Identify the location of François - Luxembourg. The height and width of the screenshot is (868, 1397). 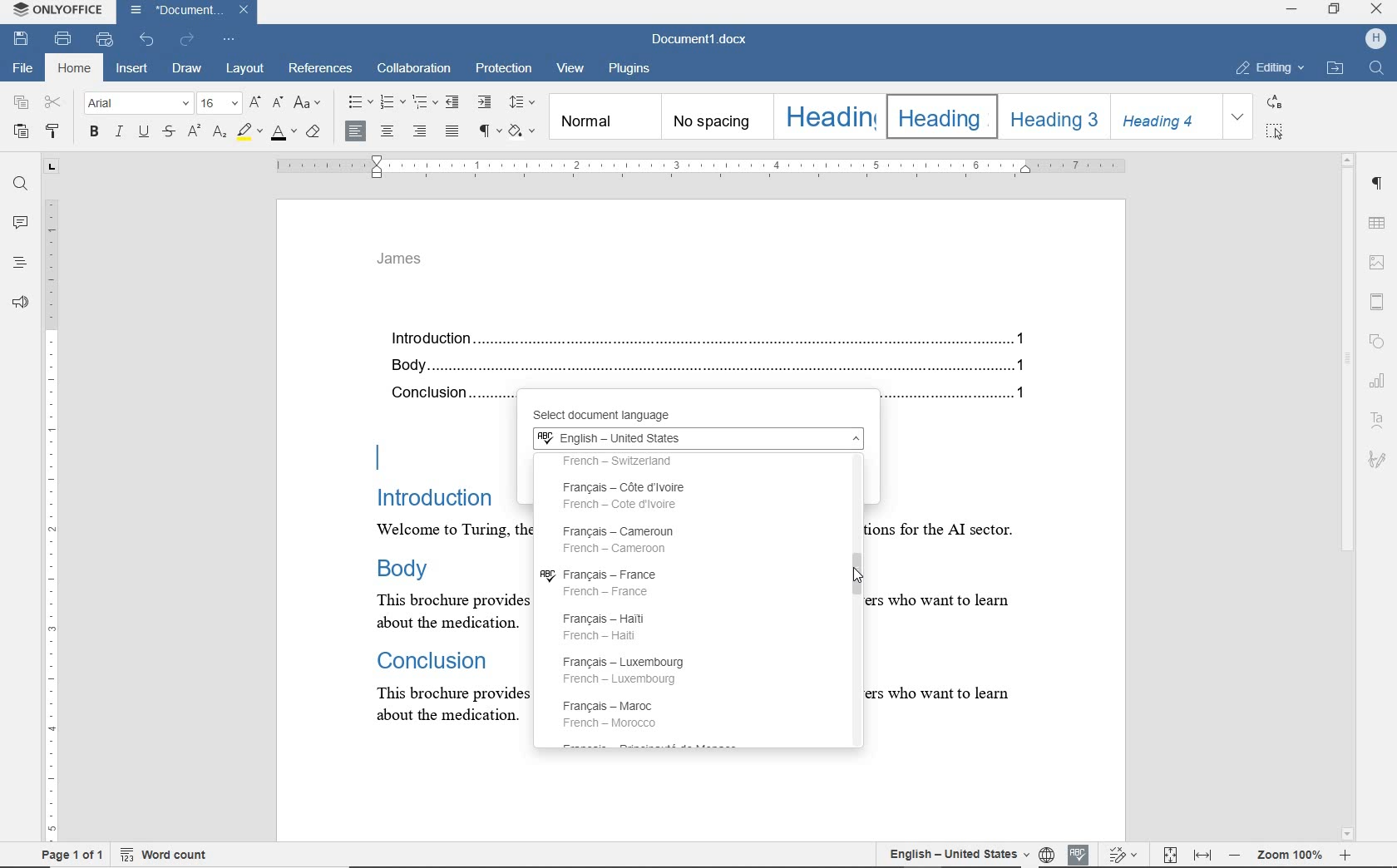
(633, 670).